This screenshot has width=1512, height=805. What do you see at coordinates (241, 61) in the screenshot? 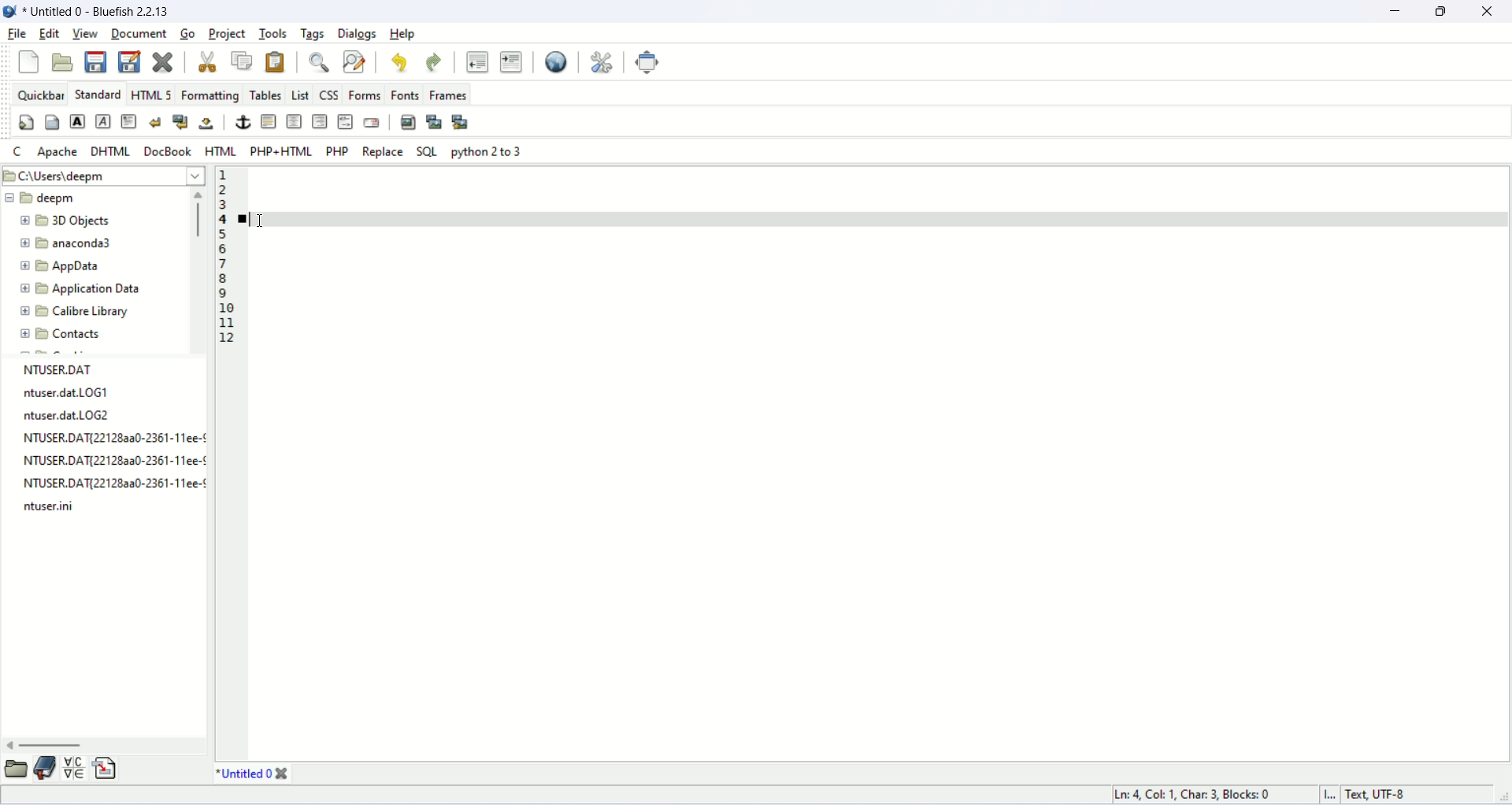
I see `copy` at bounding box center [241, 61].